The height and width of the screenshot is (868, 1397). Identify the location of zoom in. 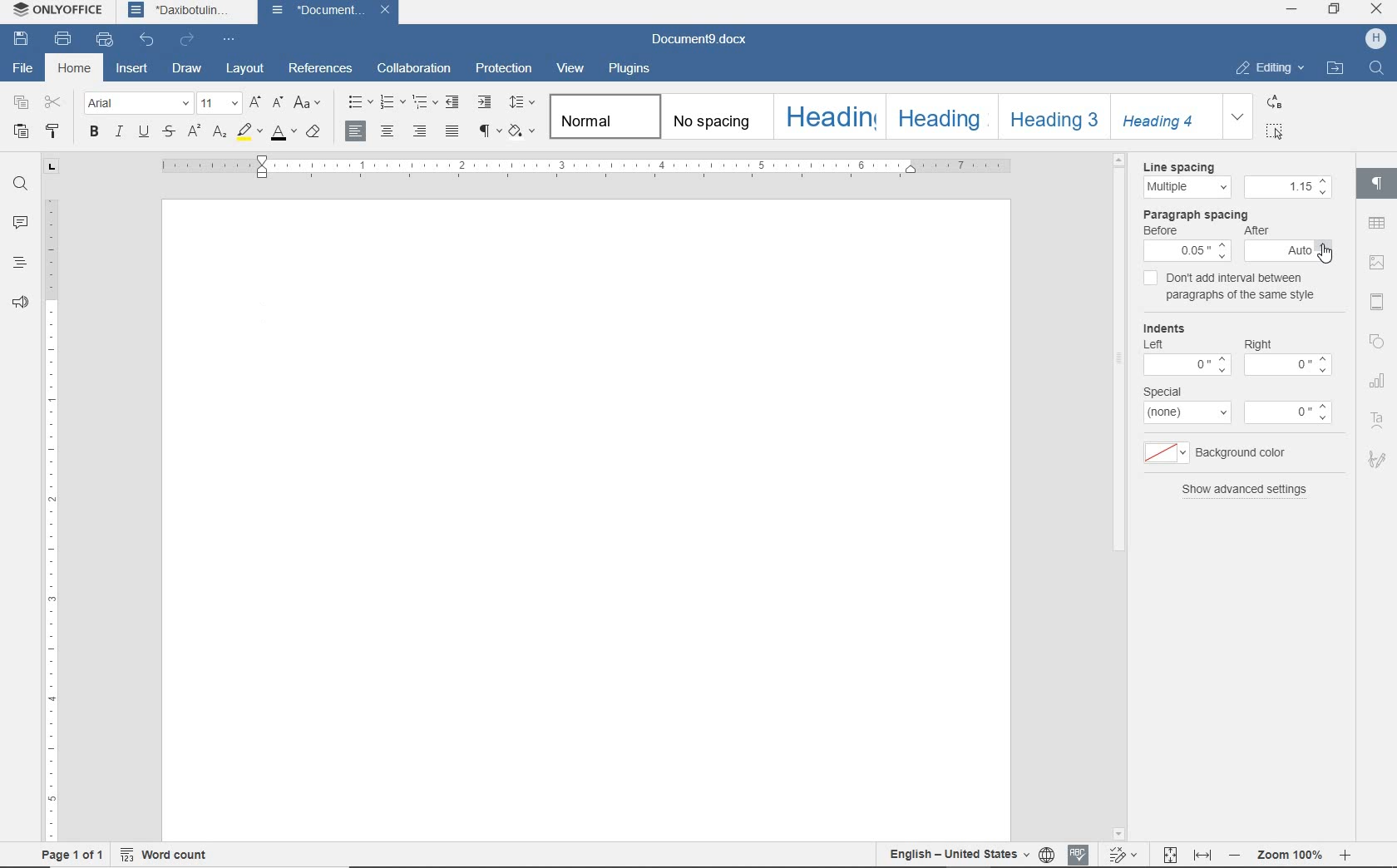
(1345, 855).